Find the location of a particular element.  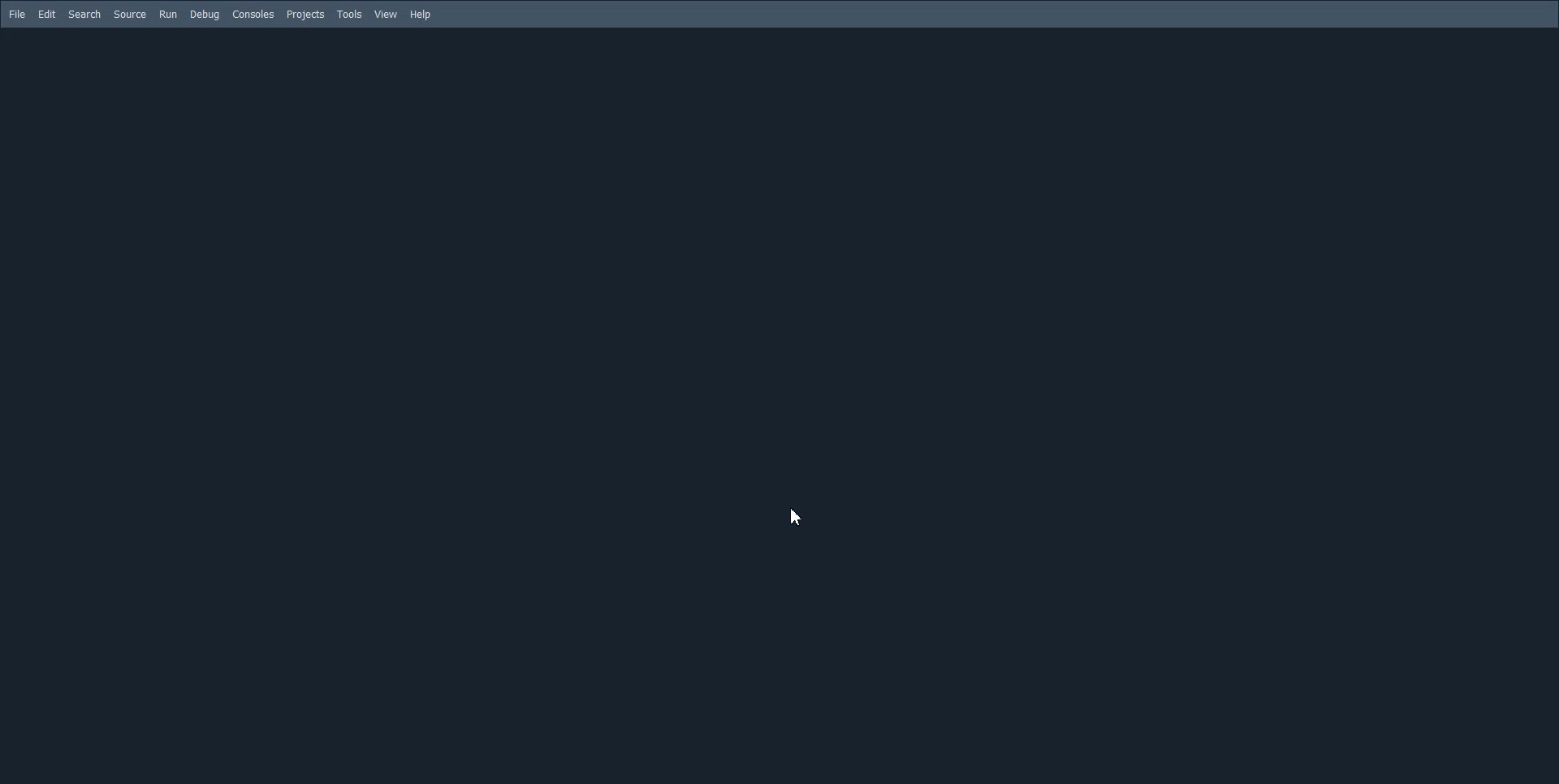

File is located at coordinates (18, 14).